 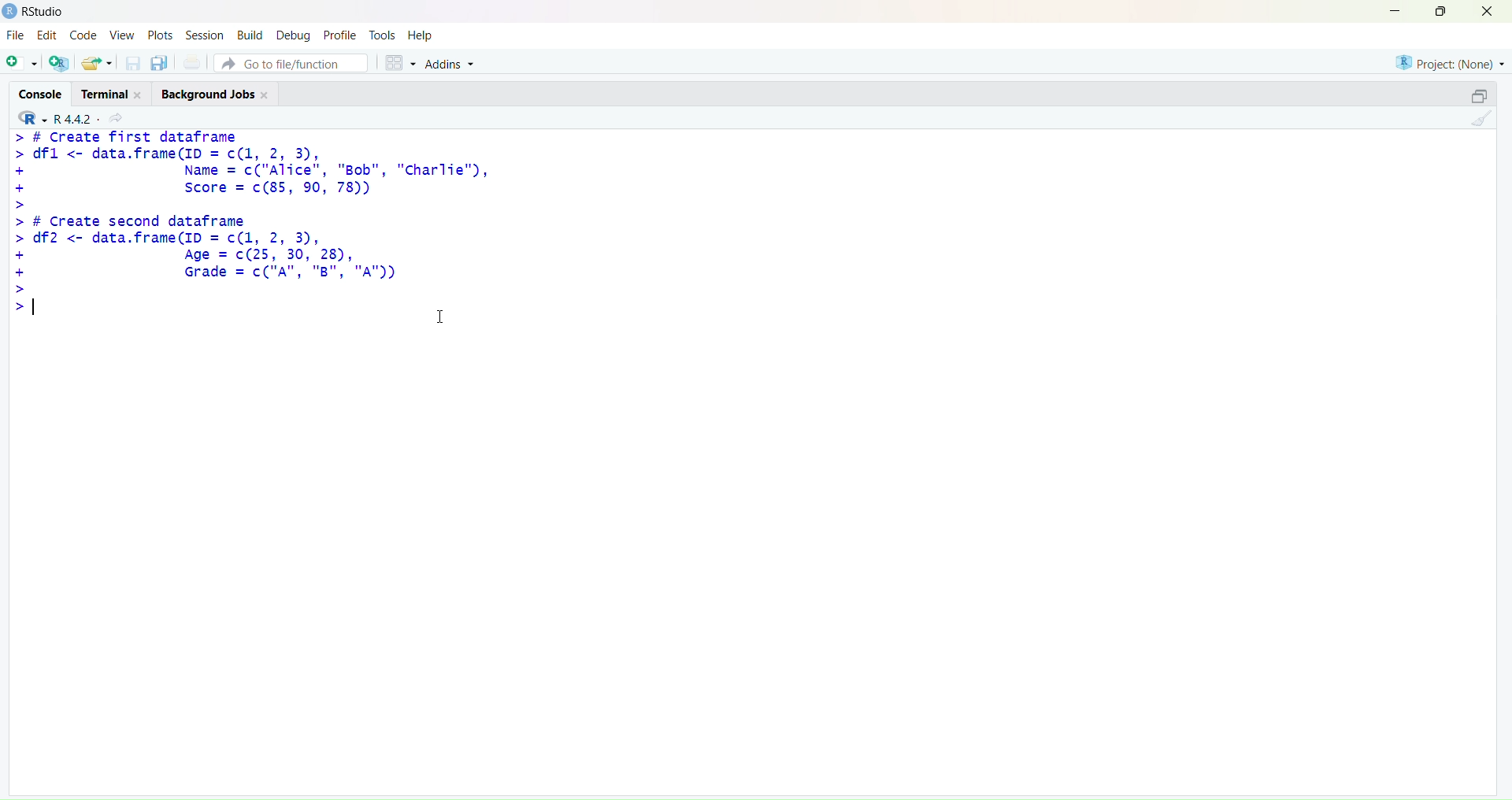 What do you see at coordinates (161, 64) in the screenshot?
I see `save all open document` at bounding box center [161, 64].